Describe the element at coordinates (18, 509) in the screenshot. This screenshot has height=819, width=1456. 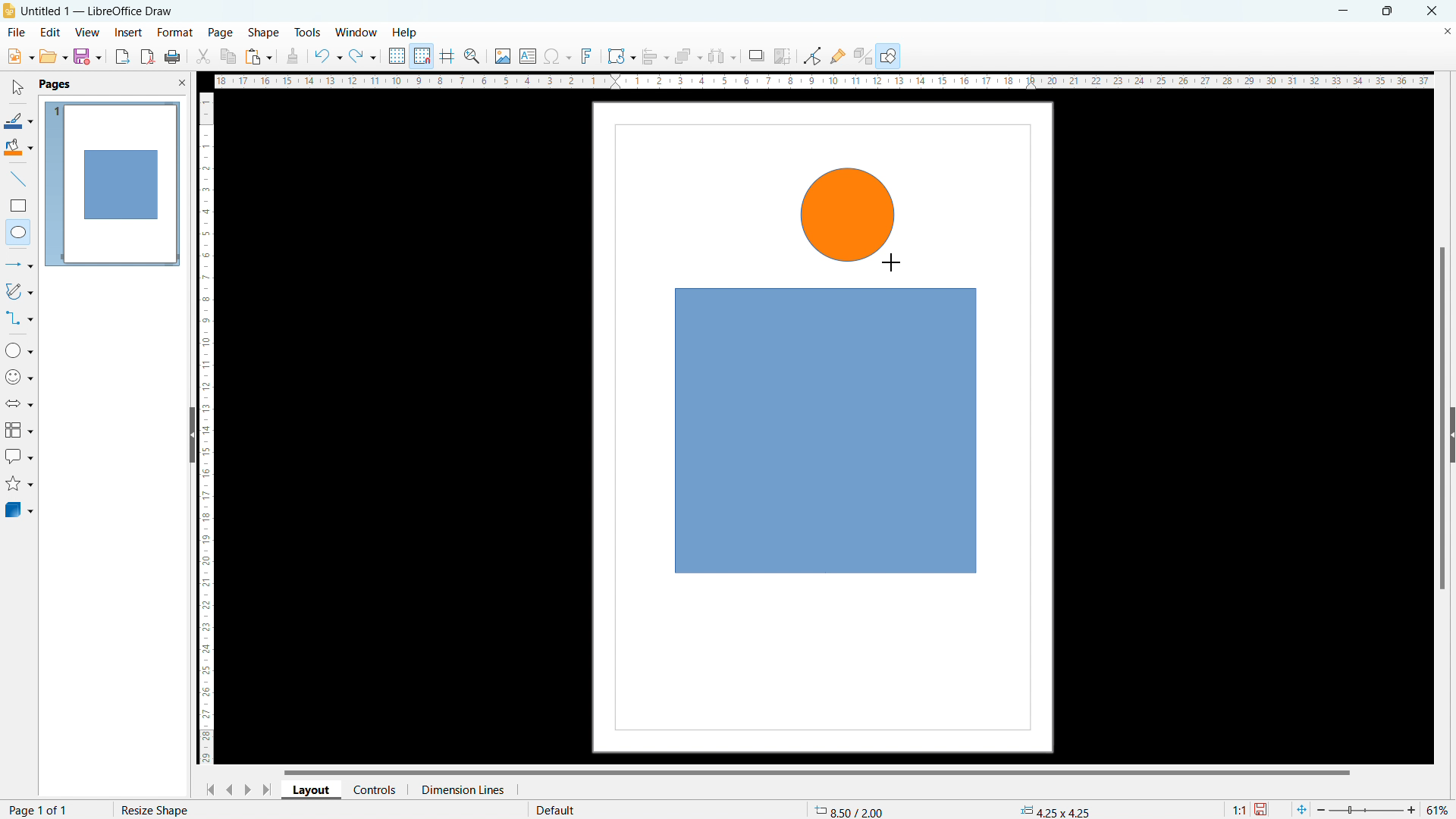
I see `3D objects` at that location.